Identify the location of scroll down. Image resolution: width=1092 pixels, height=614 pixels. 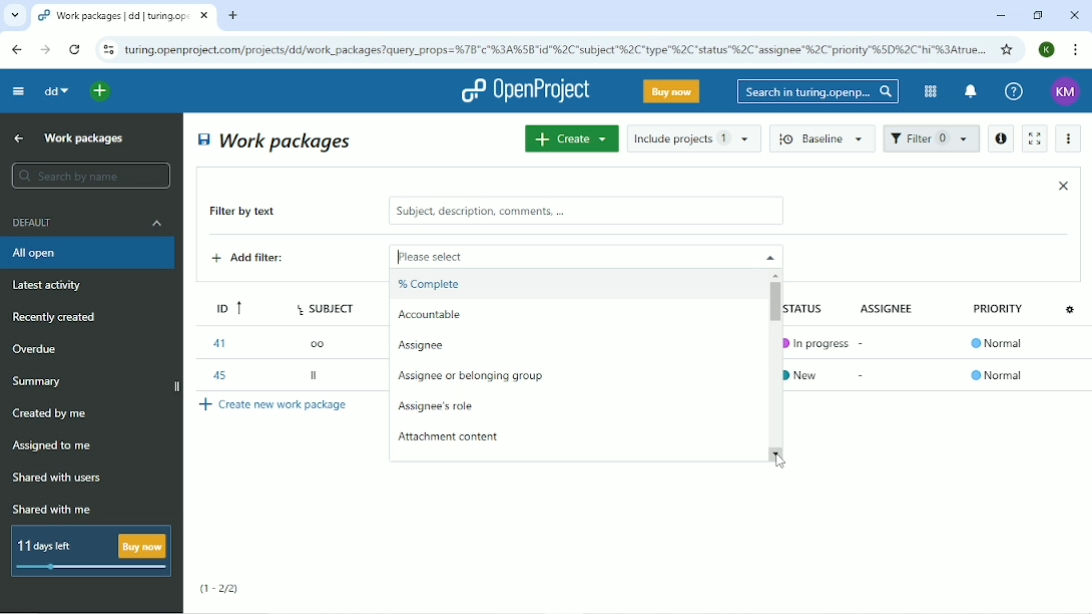
(780, 453).